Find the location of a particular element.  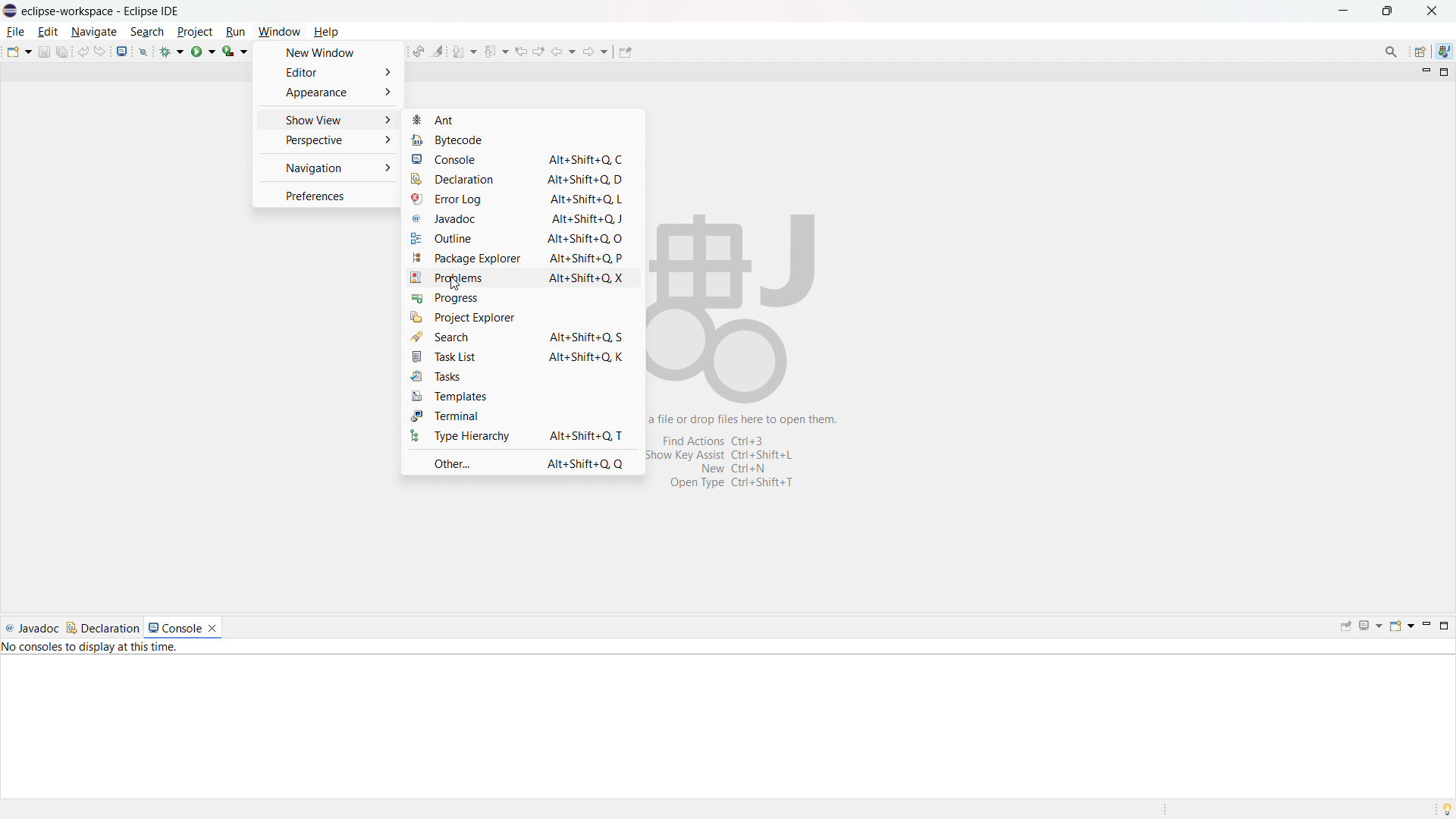

appearance is located at coordinates (328, 93).